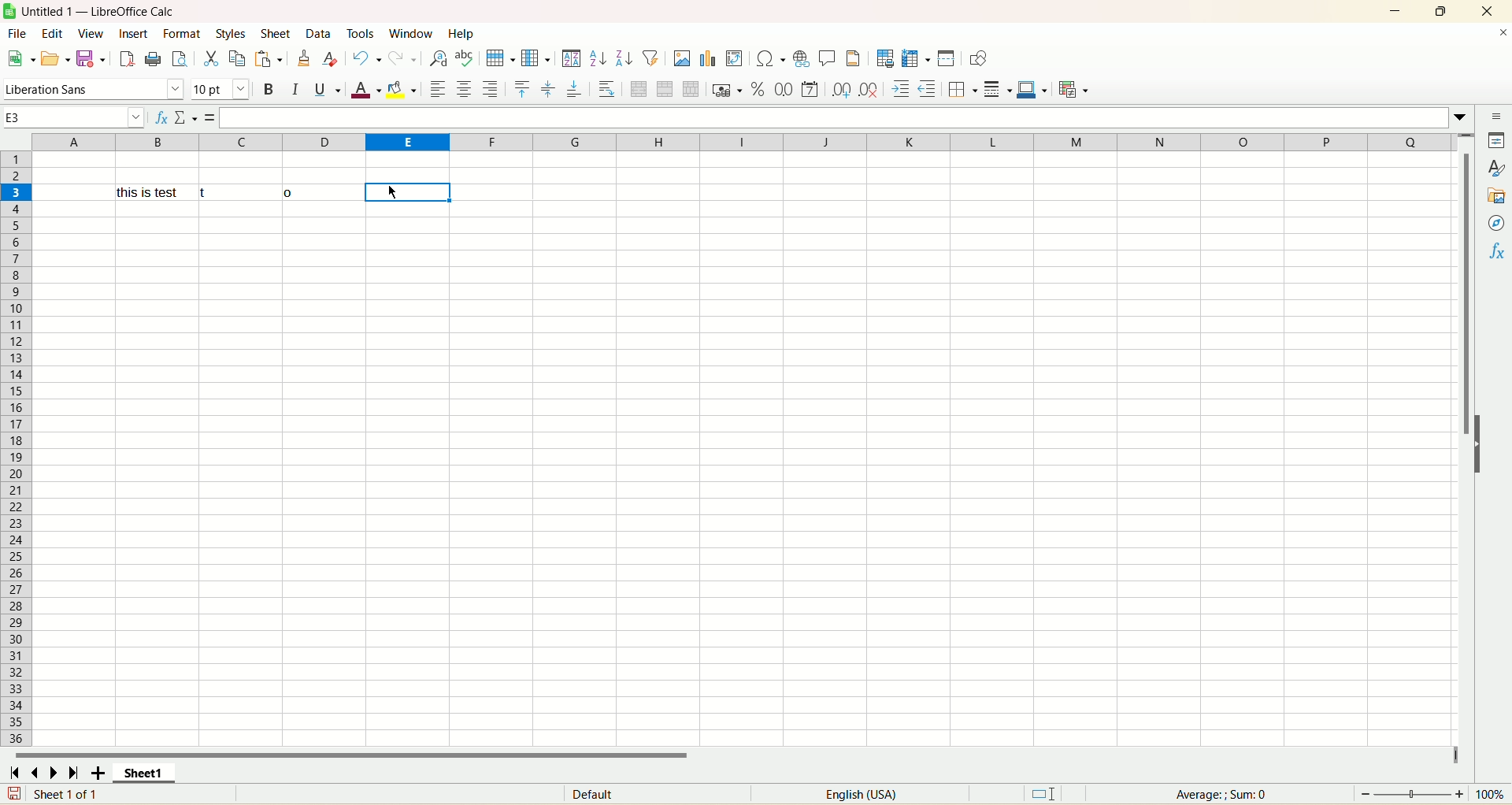 The image size is (1512, 805). I want to click on save, so click(10, 794).